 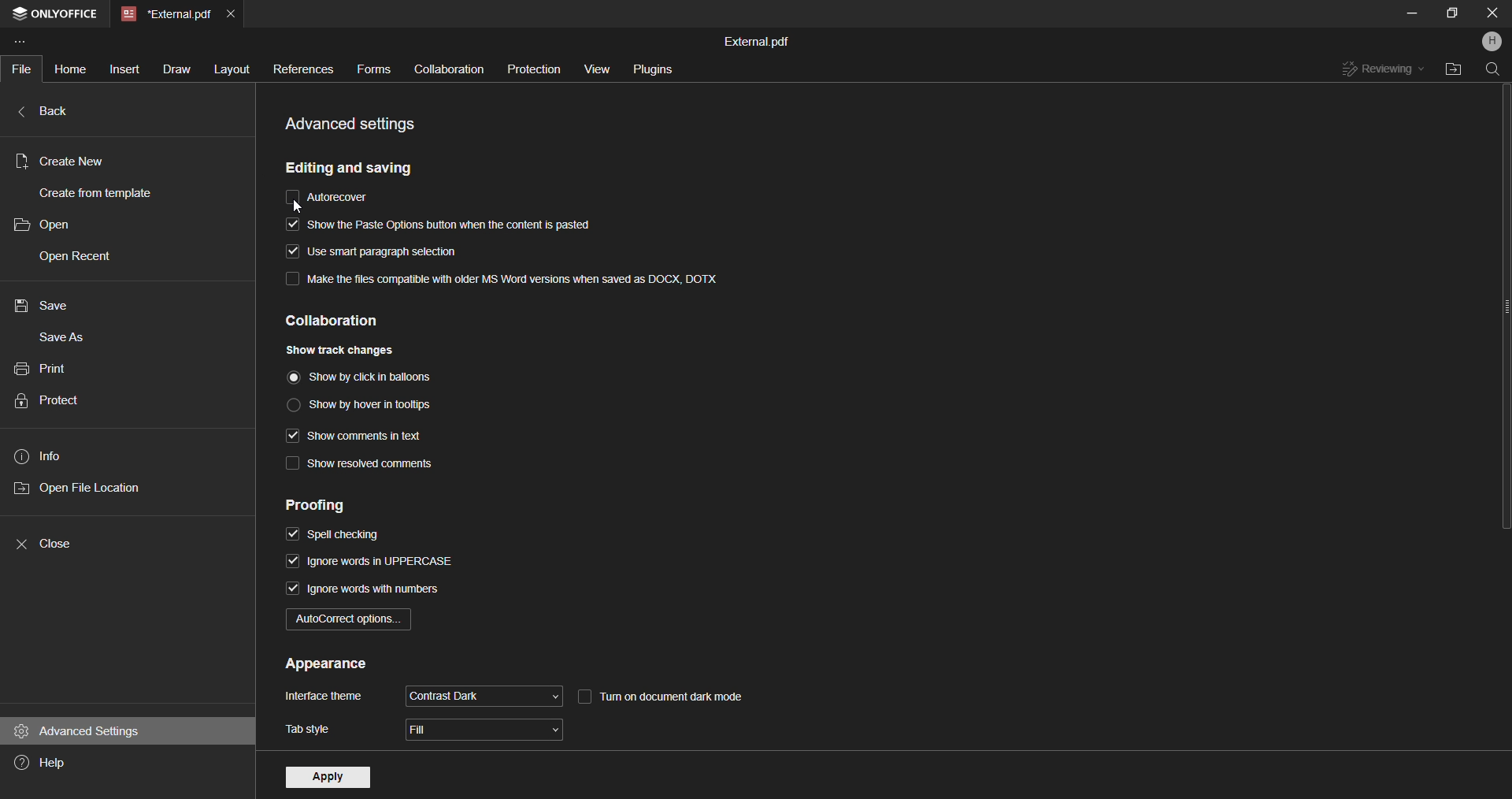 I want to click on back, so click(x=61, y=113).